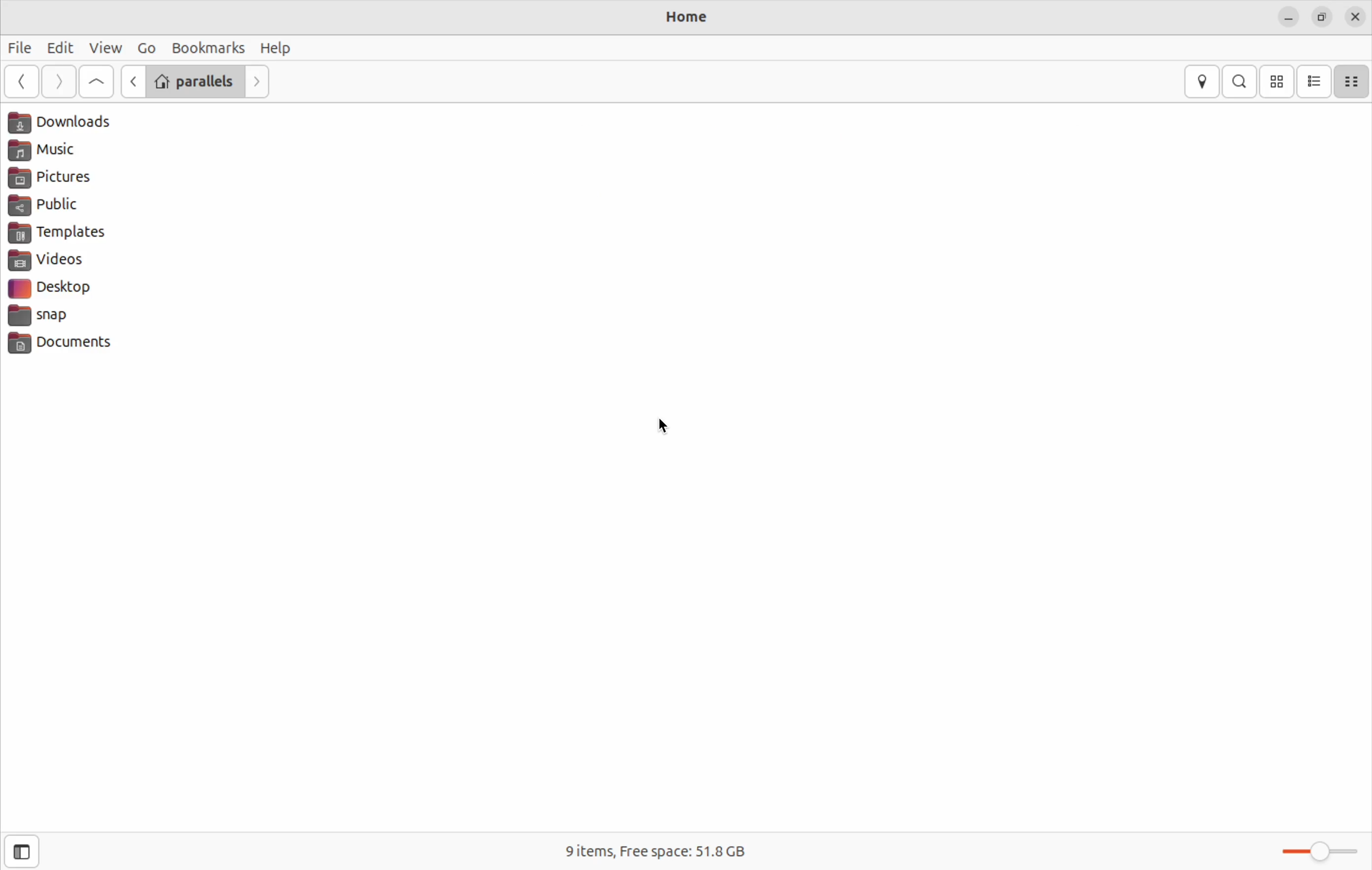 This screenshot has height=870, width=1372. I want to click on desktop, so click(68, 290).